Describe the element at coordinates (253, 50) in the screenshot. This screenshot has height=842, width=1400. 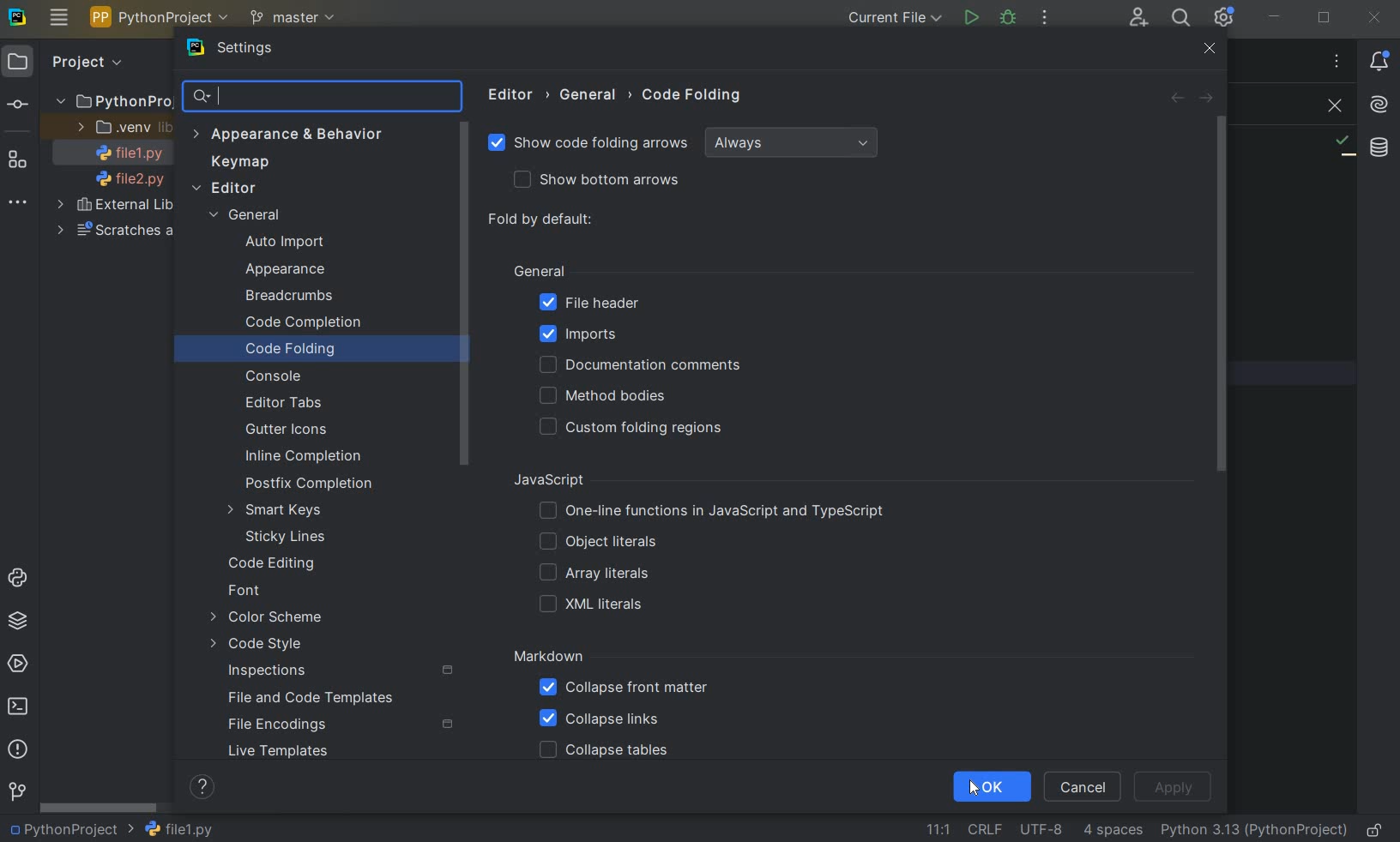
I see `SETTINGS` at that location.